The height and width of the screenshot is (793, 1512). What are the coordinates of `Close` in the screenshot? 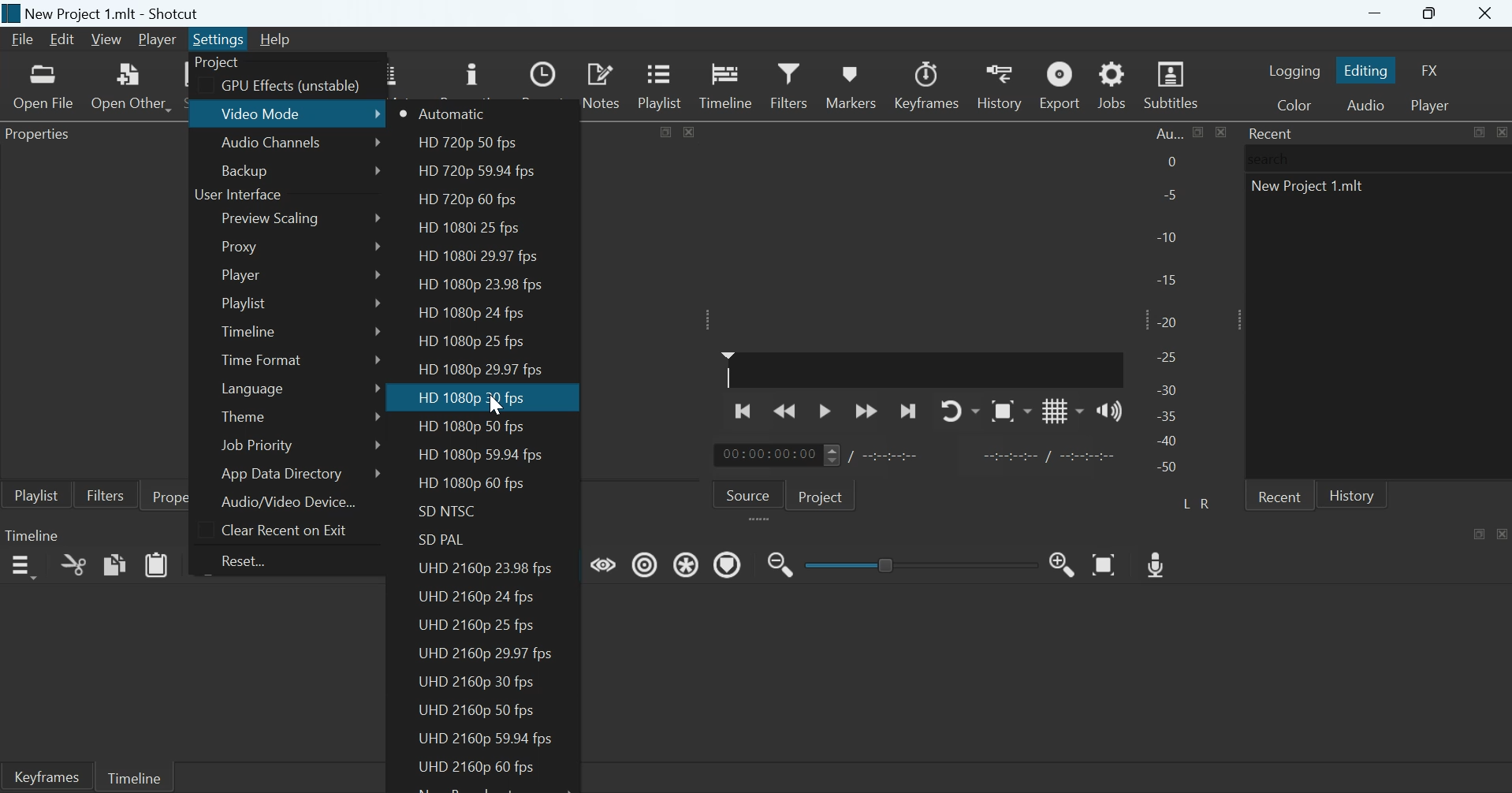 It's located at (1487, 14).